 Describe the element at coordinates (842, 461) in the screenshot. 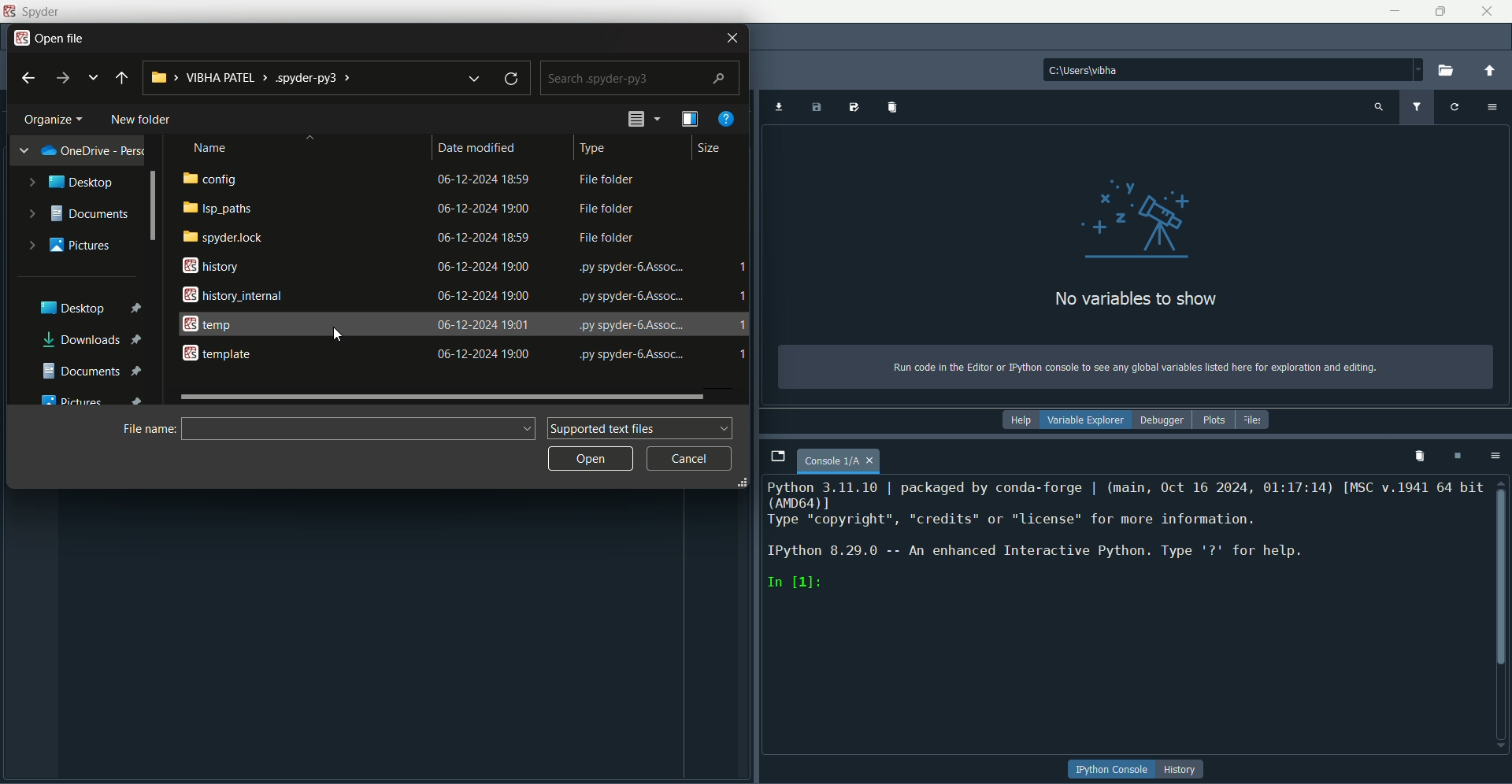

I see `page name` at that location.